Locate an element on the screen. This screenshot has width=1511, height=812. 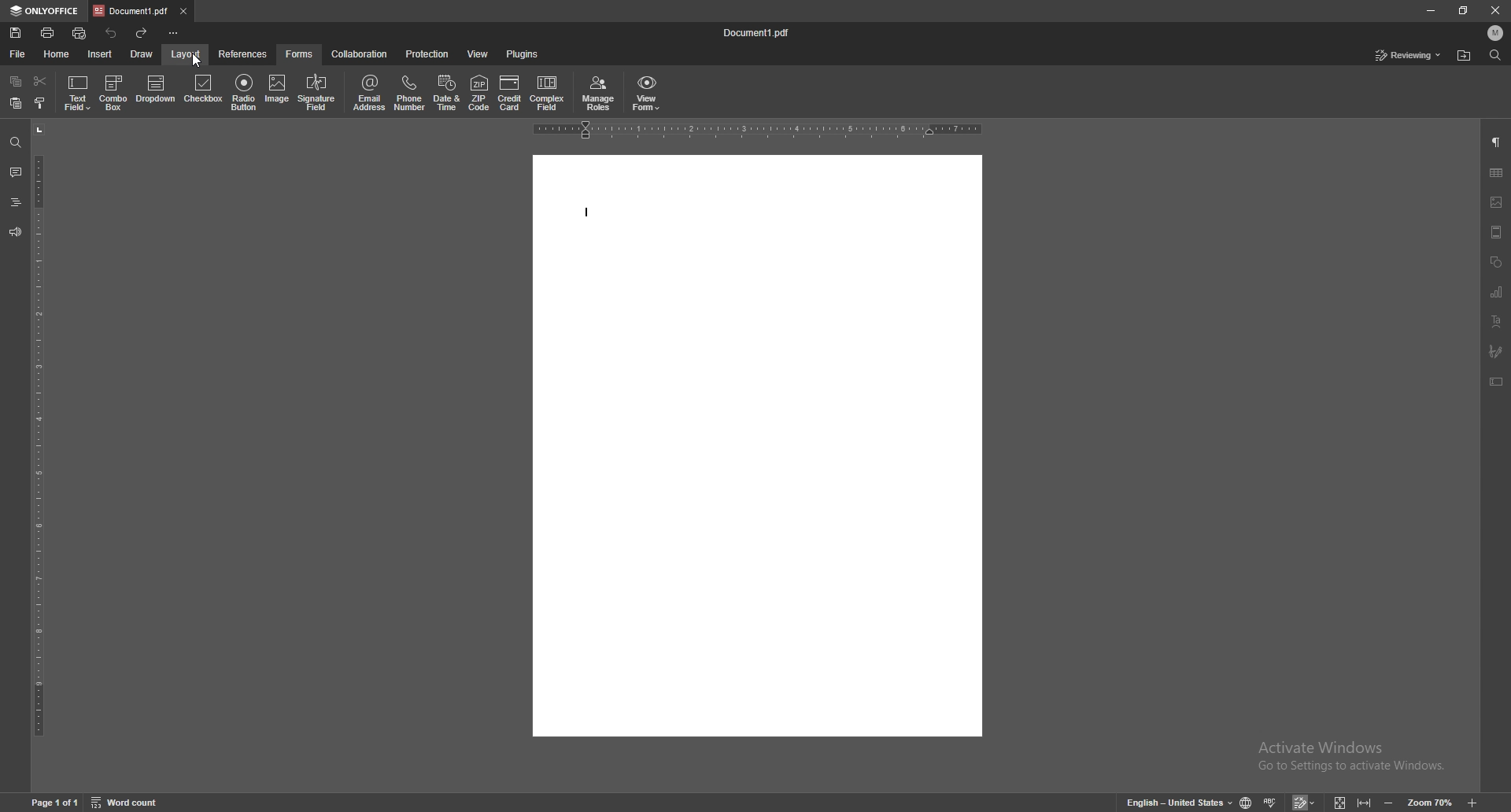
view form is located at coordinates (647, 93).